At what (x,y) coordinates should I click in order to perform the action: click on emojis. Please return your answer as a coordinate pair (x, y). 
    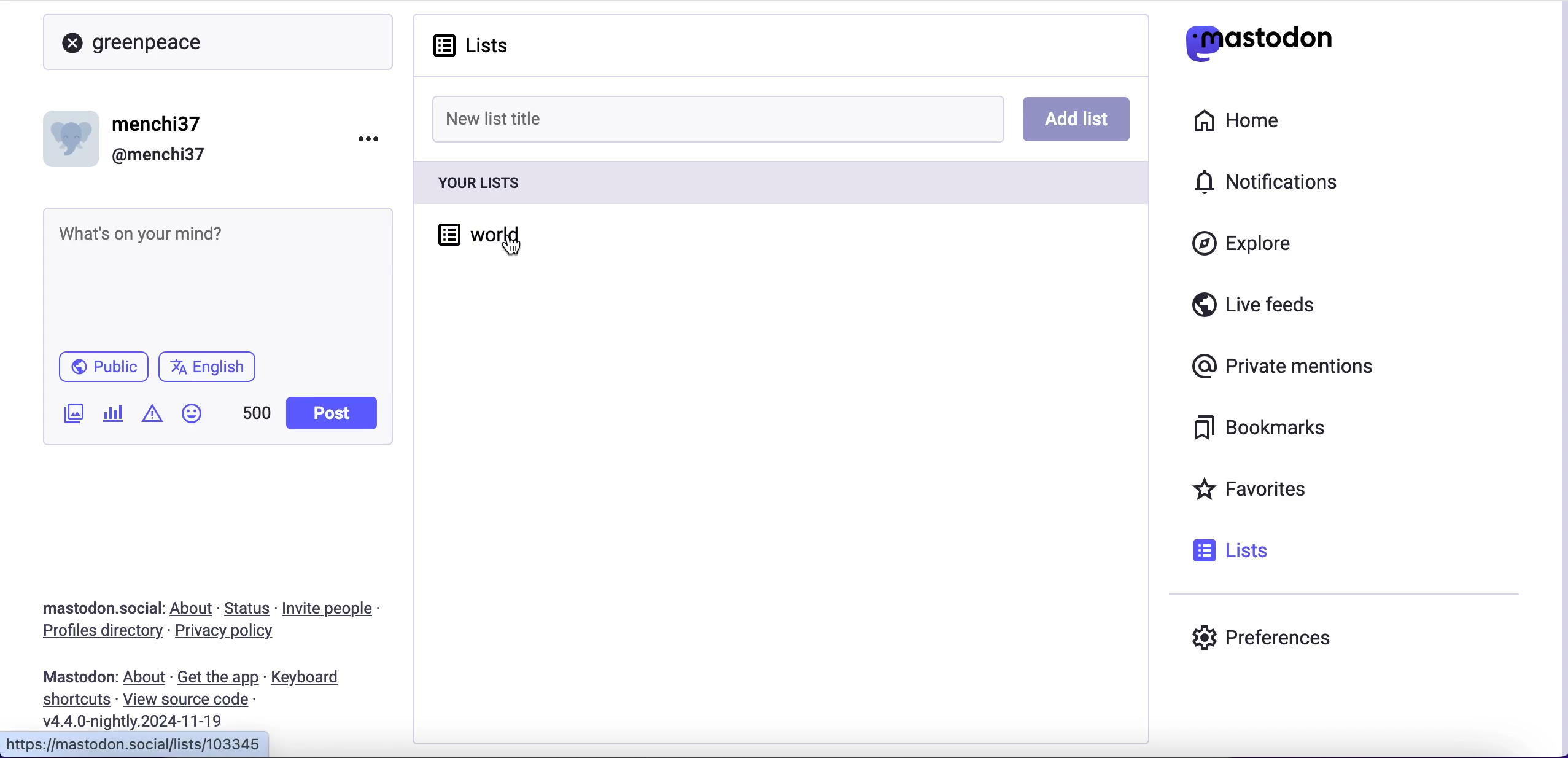
    Looking at the image, I should click on (197, 420).